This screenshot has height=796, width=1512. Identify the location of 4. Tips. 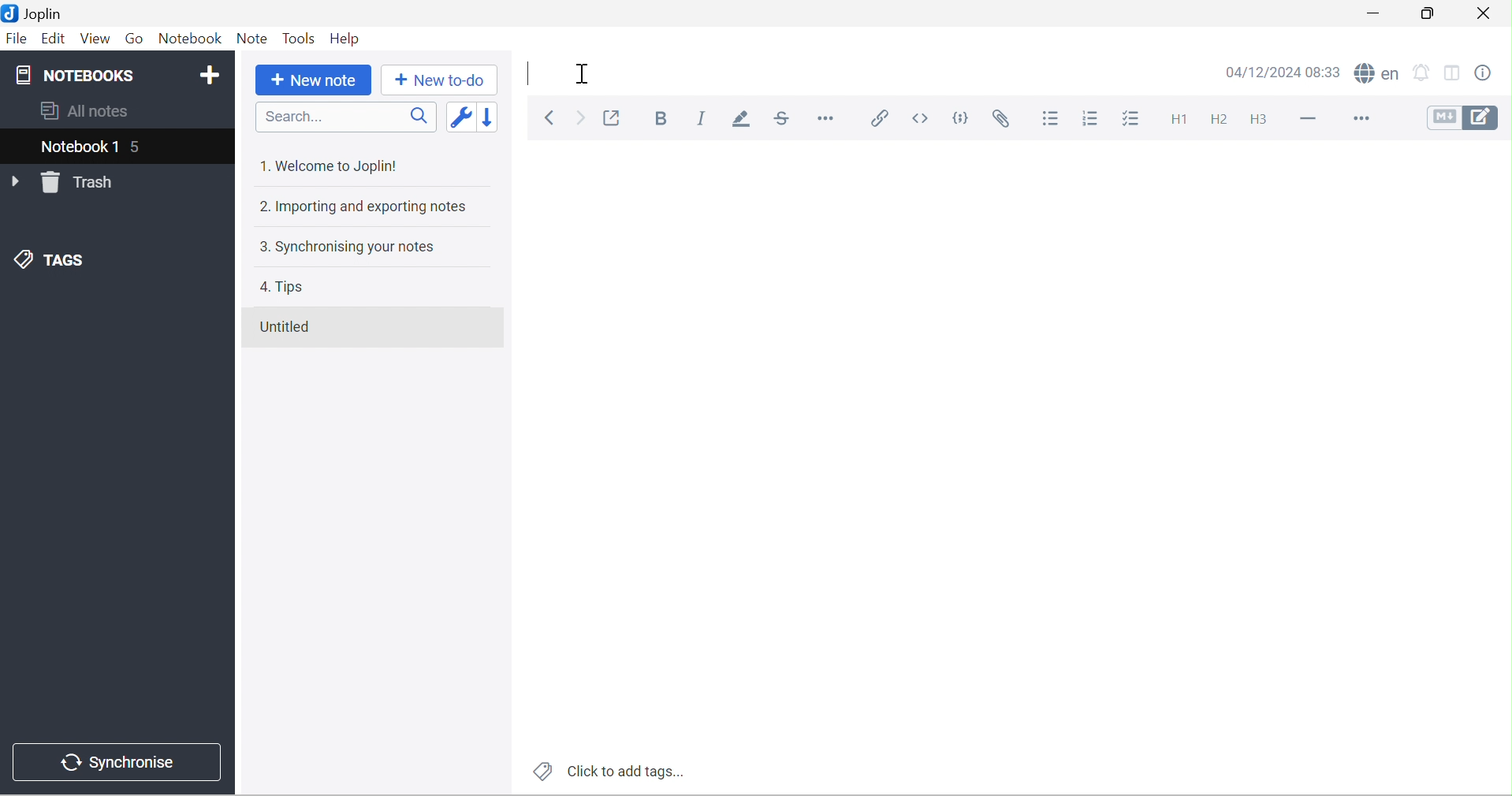
(281, 287).